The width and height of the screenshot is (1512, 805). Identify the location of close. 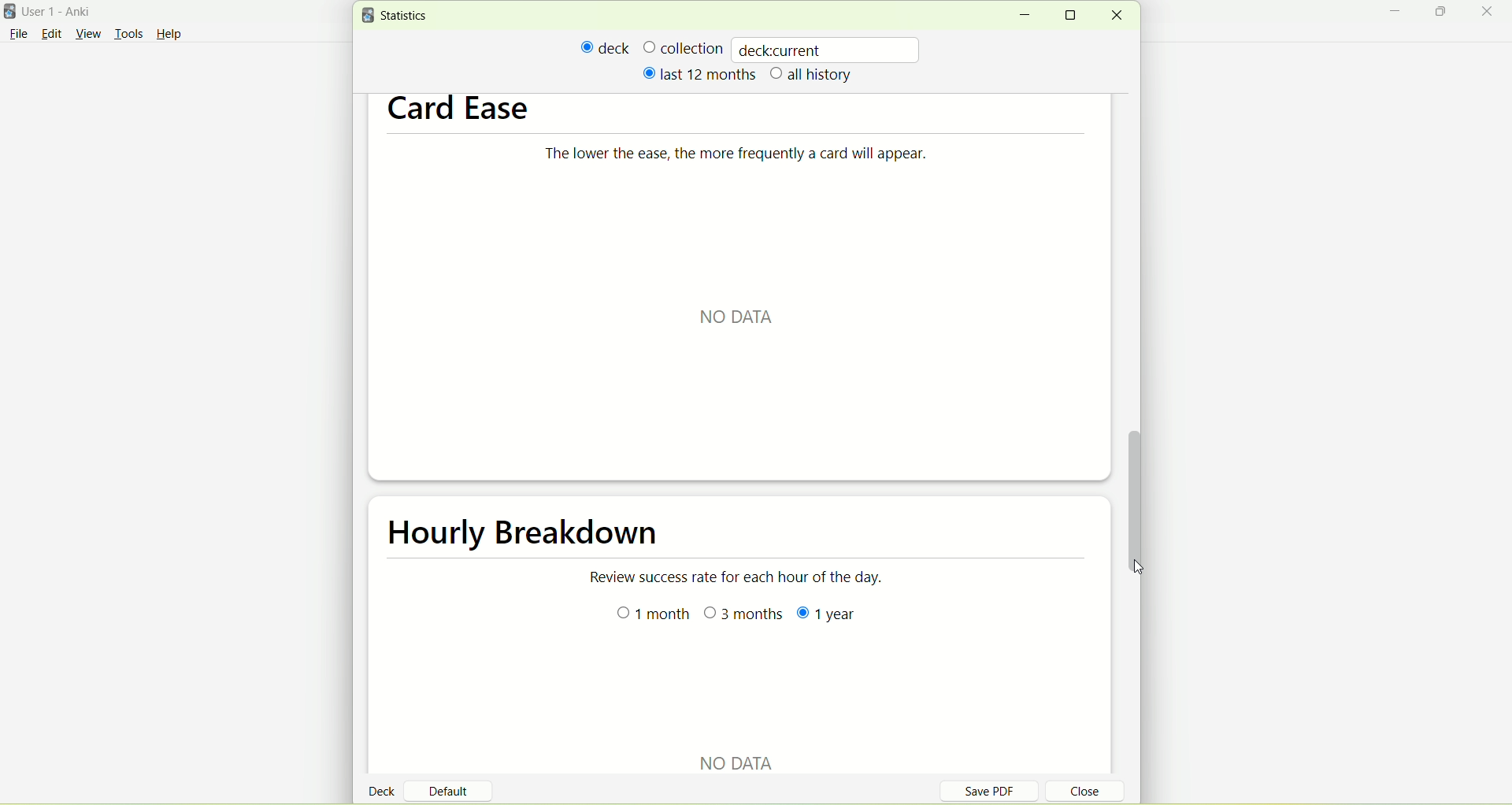
(1490, 13).